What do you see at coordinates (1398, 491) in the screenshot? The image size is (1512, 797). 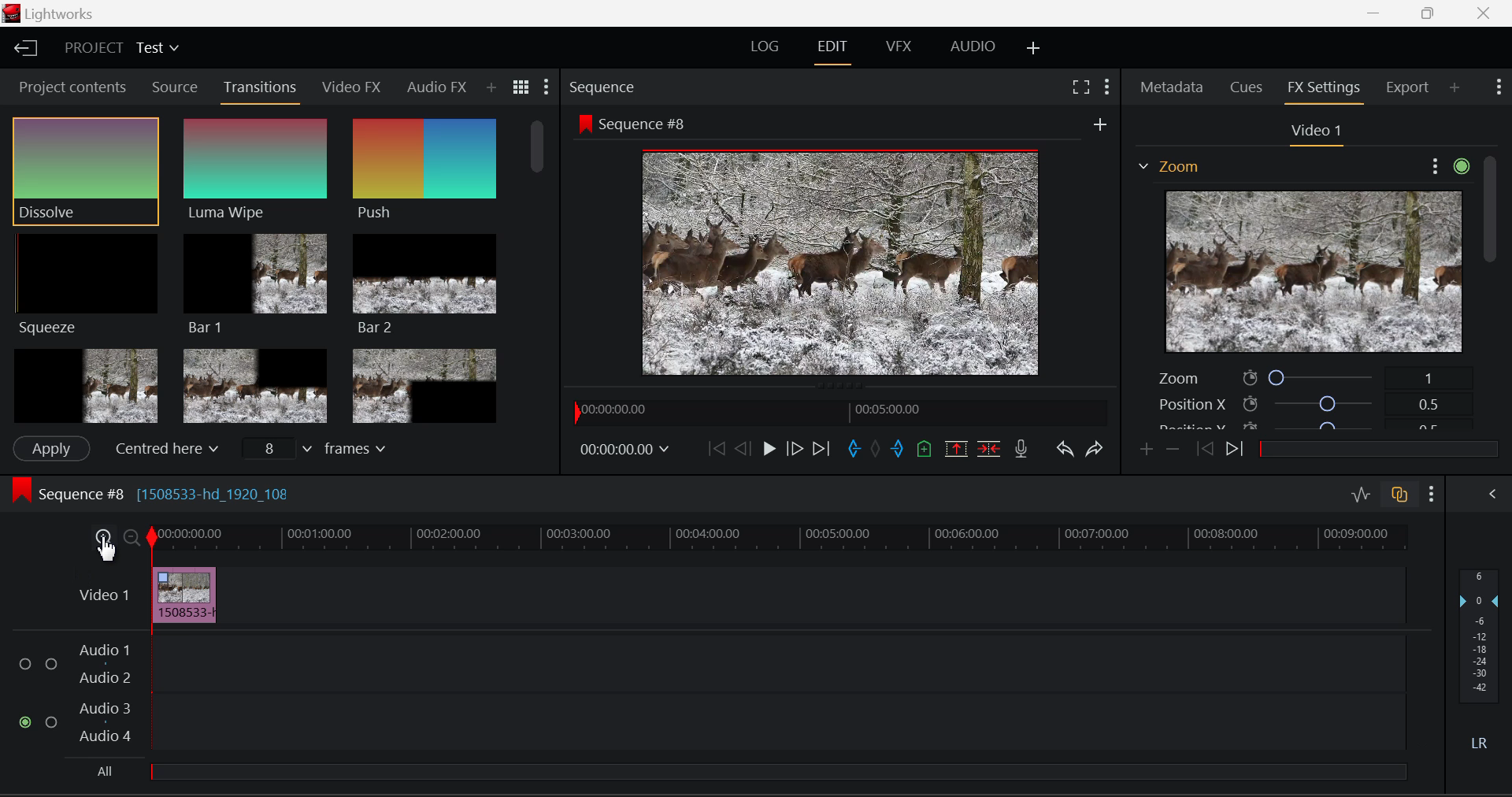 I see `Toggle auto track` at bounding box center [1398, 491].